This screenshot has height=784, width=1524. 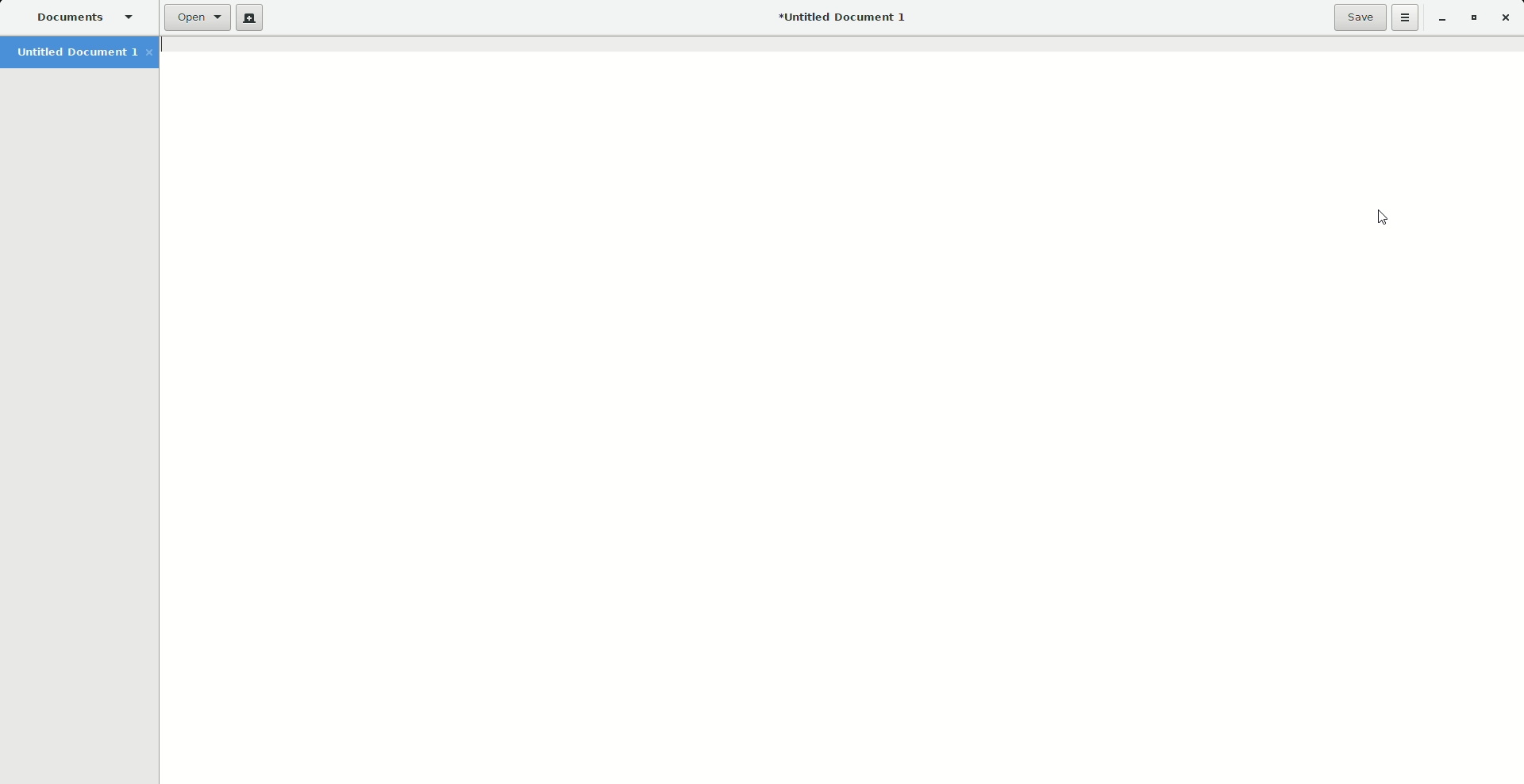 What do you see at coordinates (199, 17) in the screenshot?
I see `Open` at bounding box center [199, 17].